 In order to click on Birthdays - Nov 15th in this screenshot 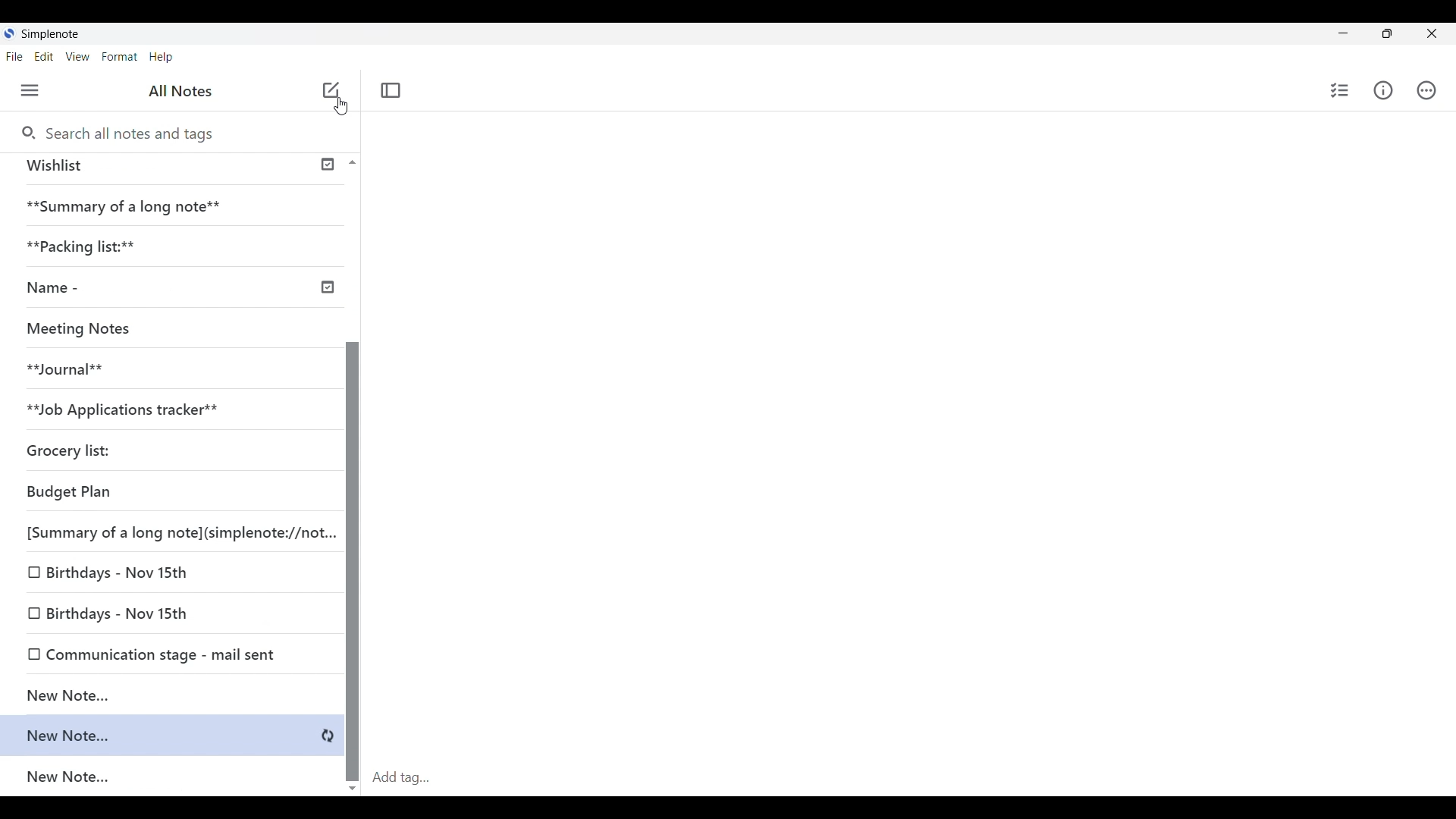, I will do `click(162, 617)`.